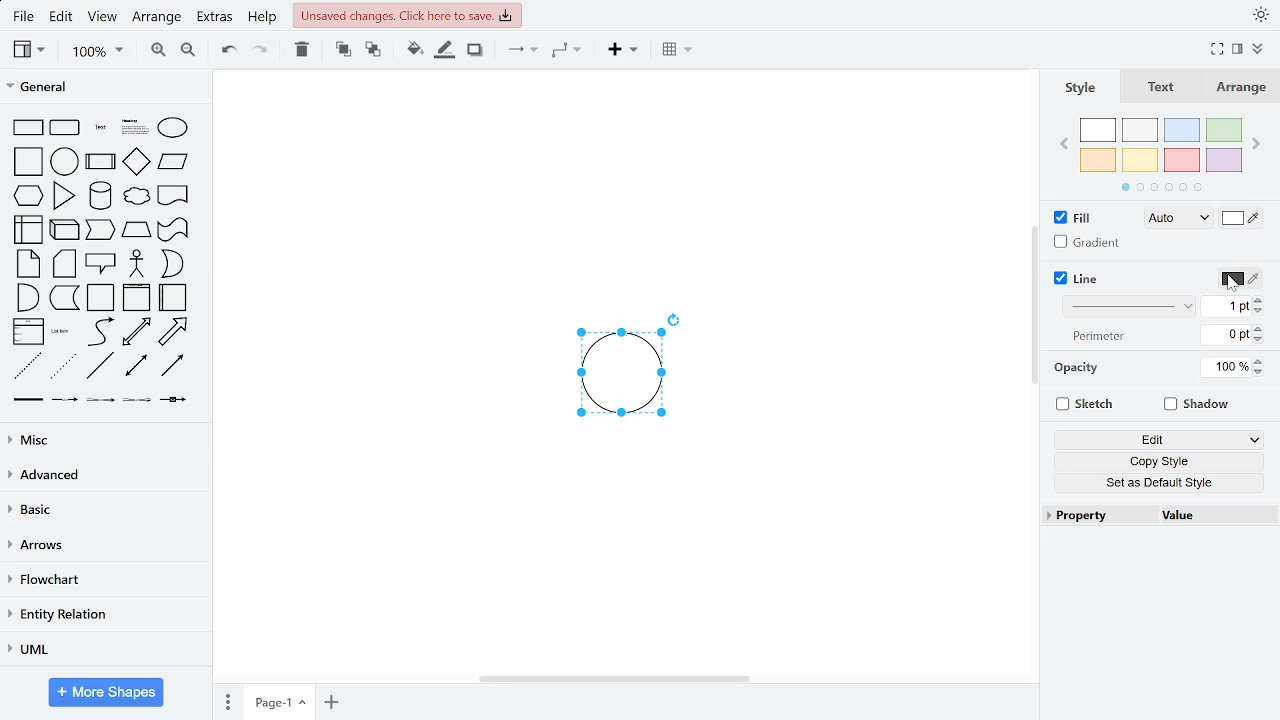  Describe the element at coordinates (64, 230) in the screenshot. I see `cube` at that location.